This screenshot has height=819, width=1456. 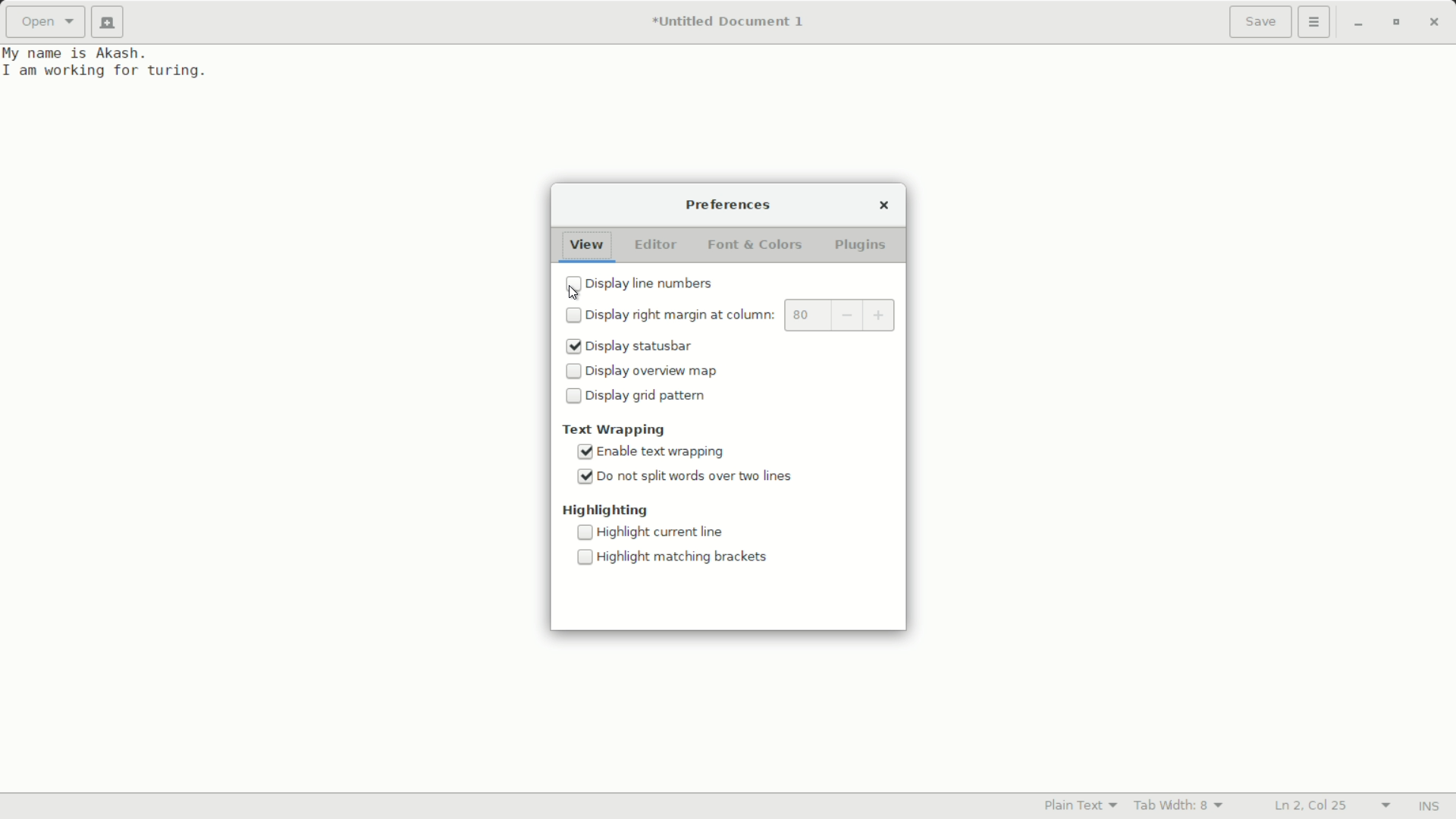 I want to click on checkbox, so click(x=573, y=370).